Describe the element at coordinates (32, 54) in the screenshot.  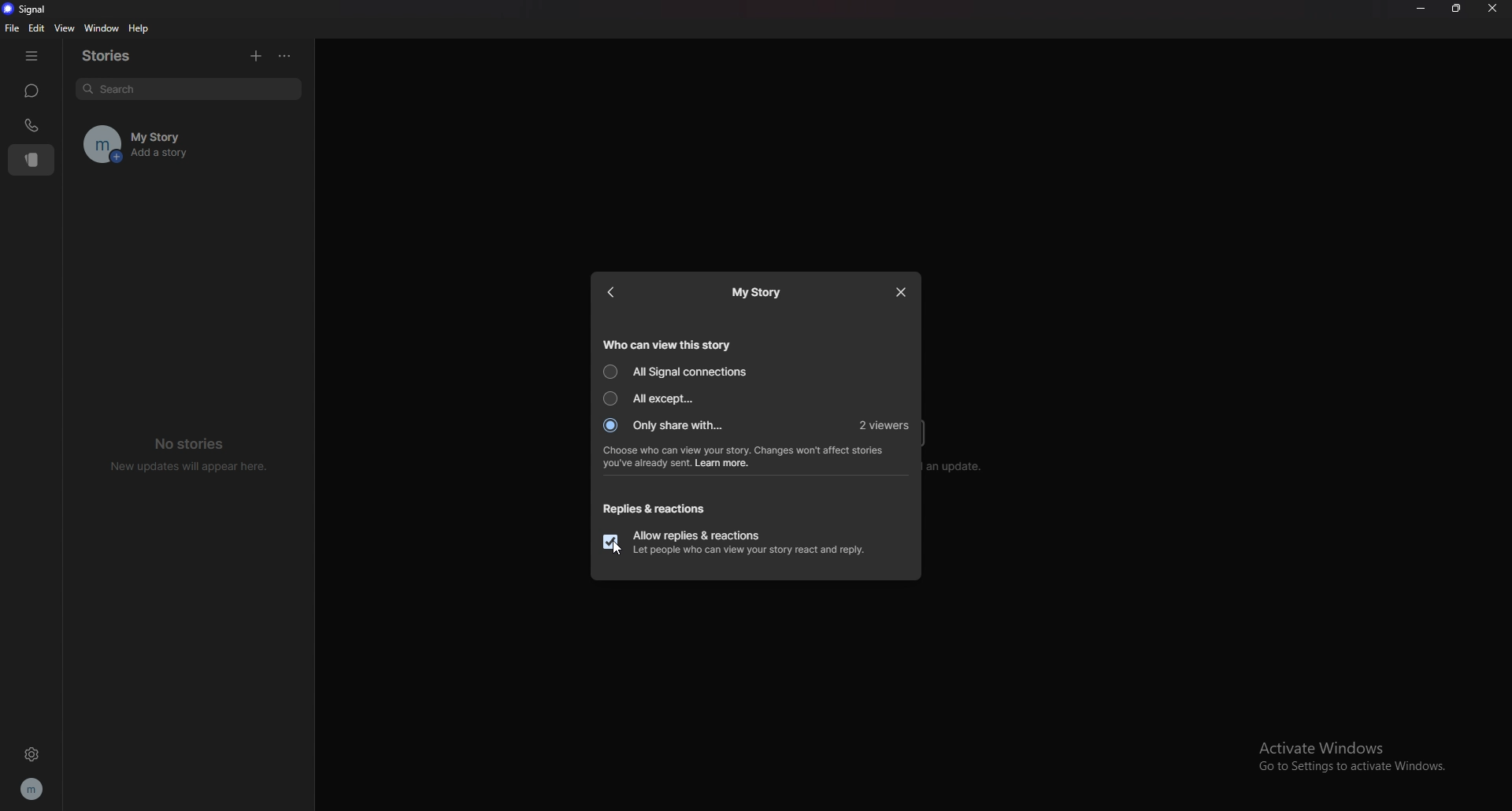
I see `hide tab` at that location.